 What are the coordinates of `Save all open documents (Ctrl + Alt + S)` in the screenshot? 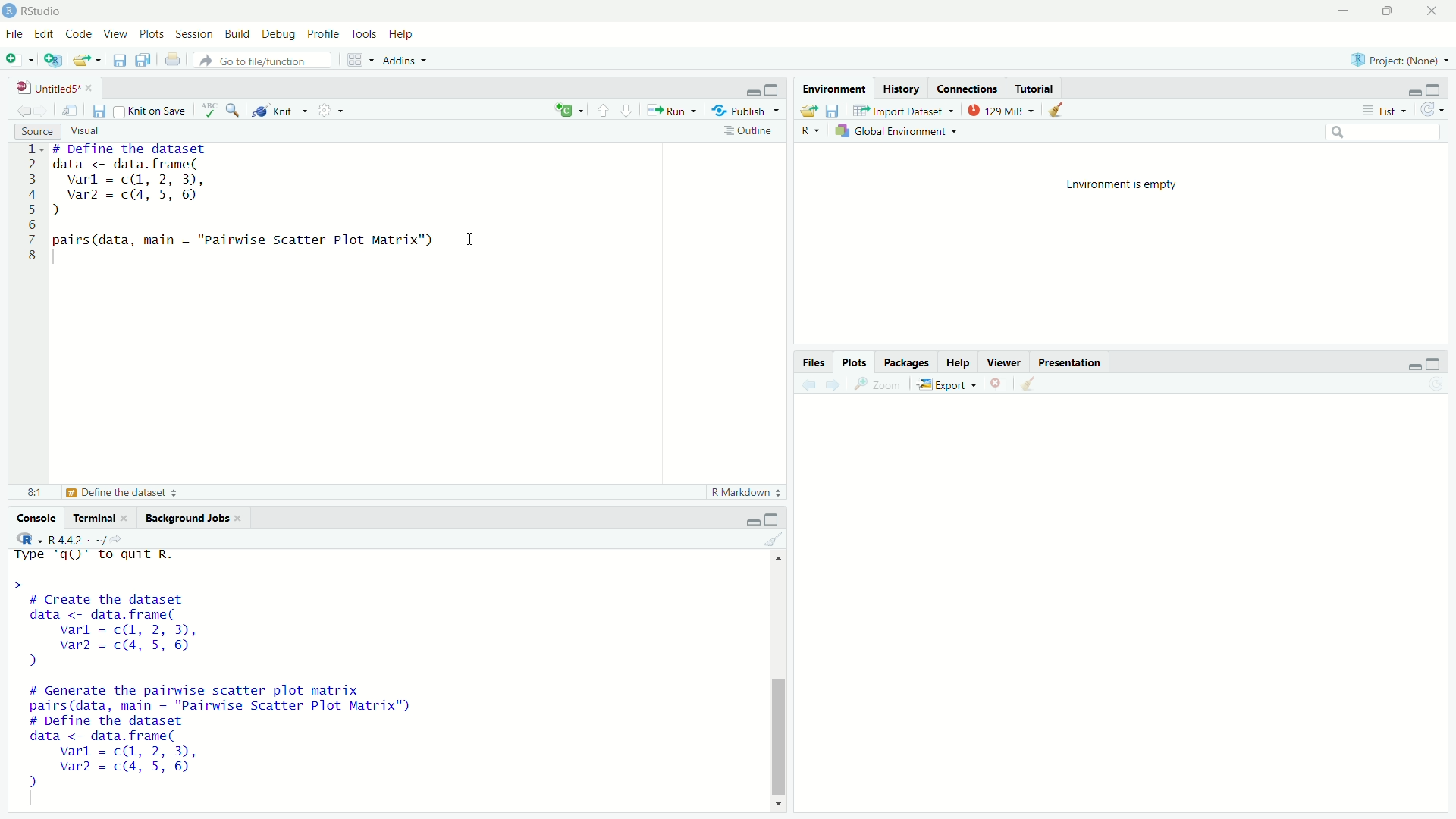 It's located at (143, 58).